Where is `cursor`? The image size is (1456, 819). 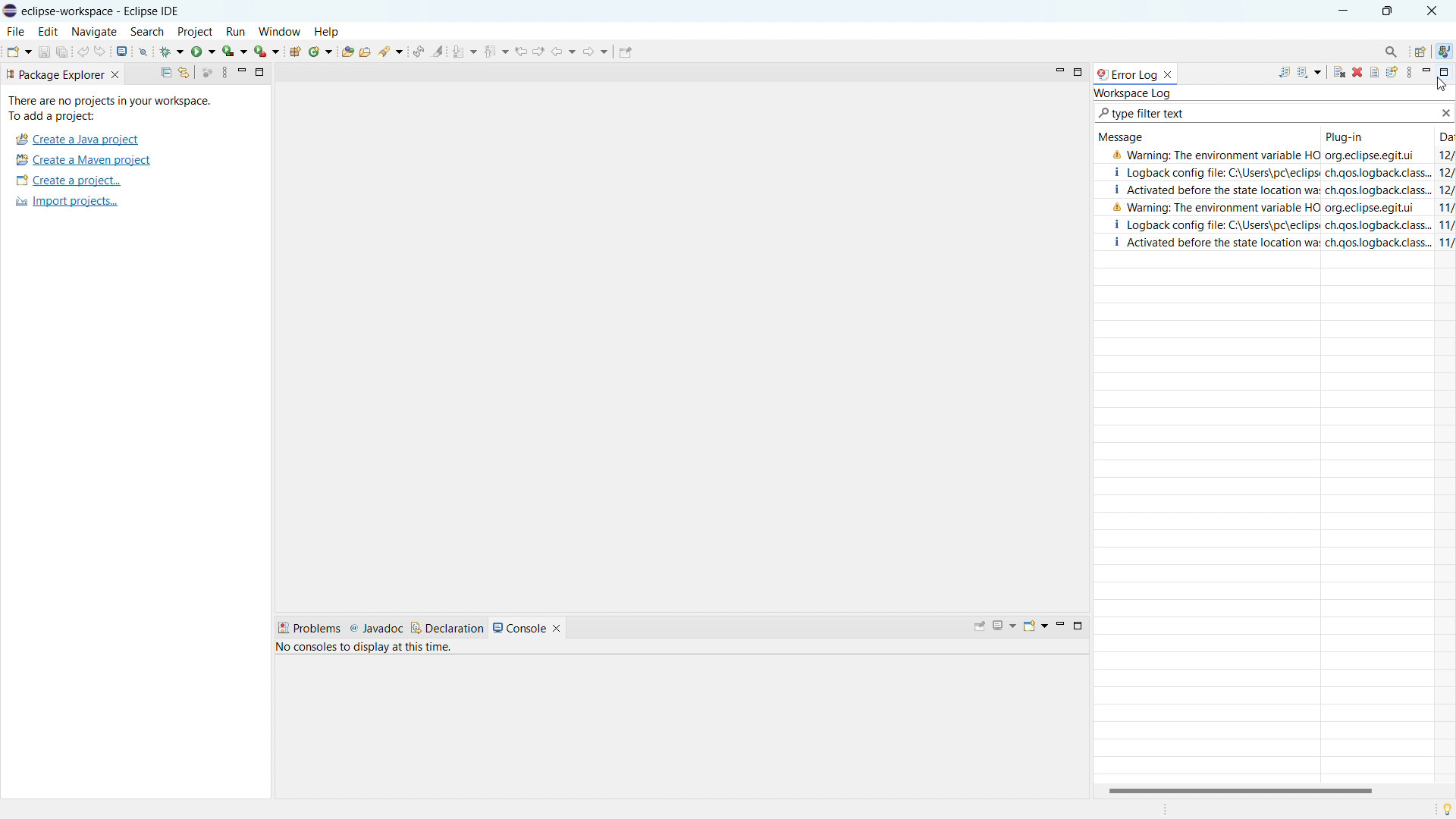 cursor is located at coordinates (1443, 86).